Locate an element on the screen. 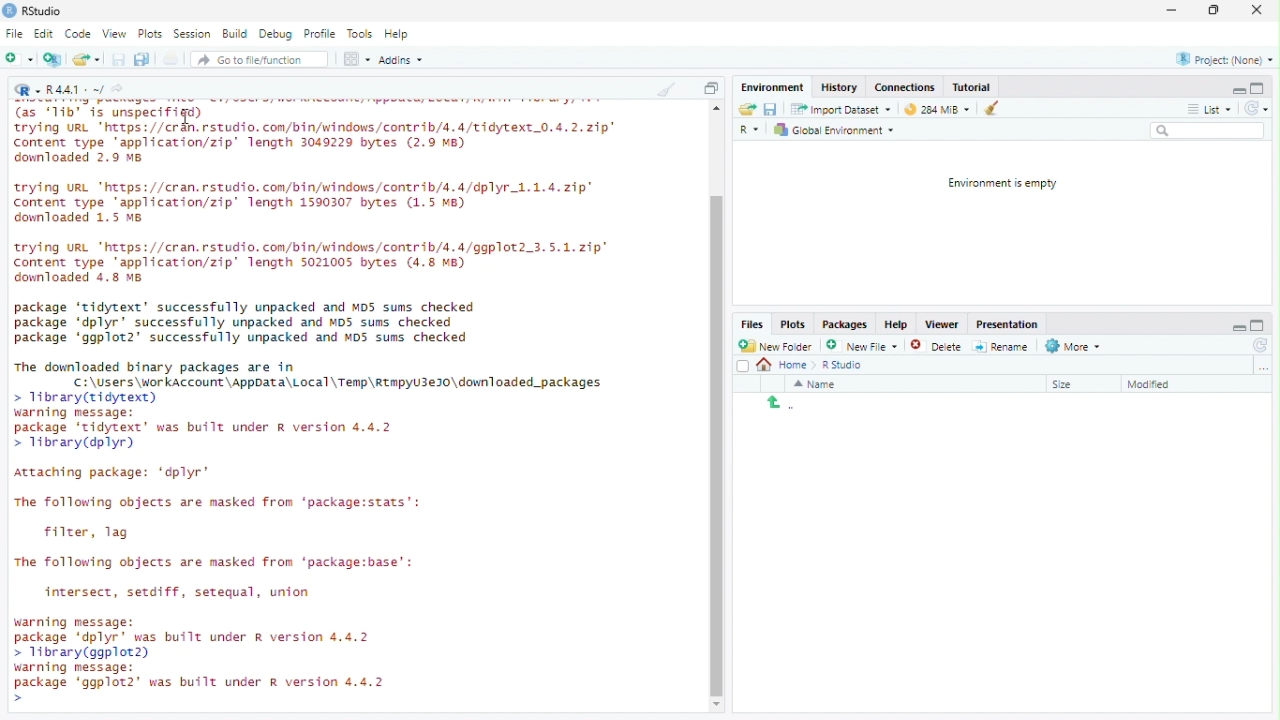 The height and width of the screenshot is (720, 1280). Search is located at coordinates (1208, 130).